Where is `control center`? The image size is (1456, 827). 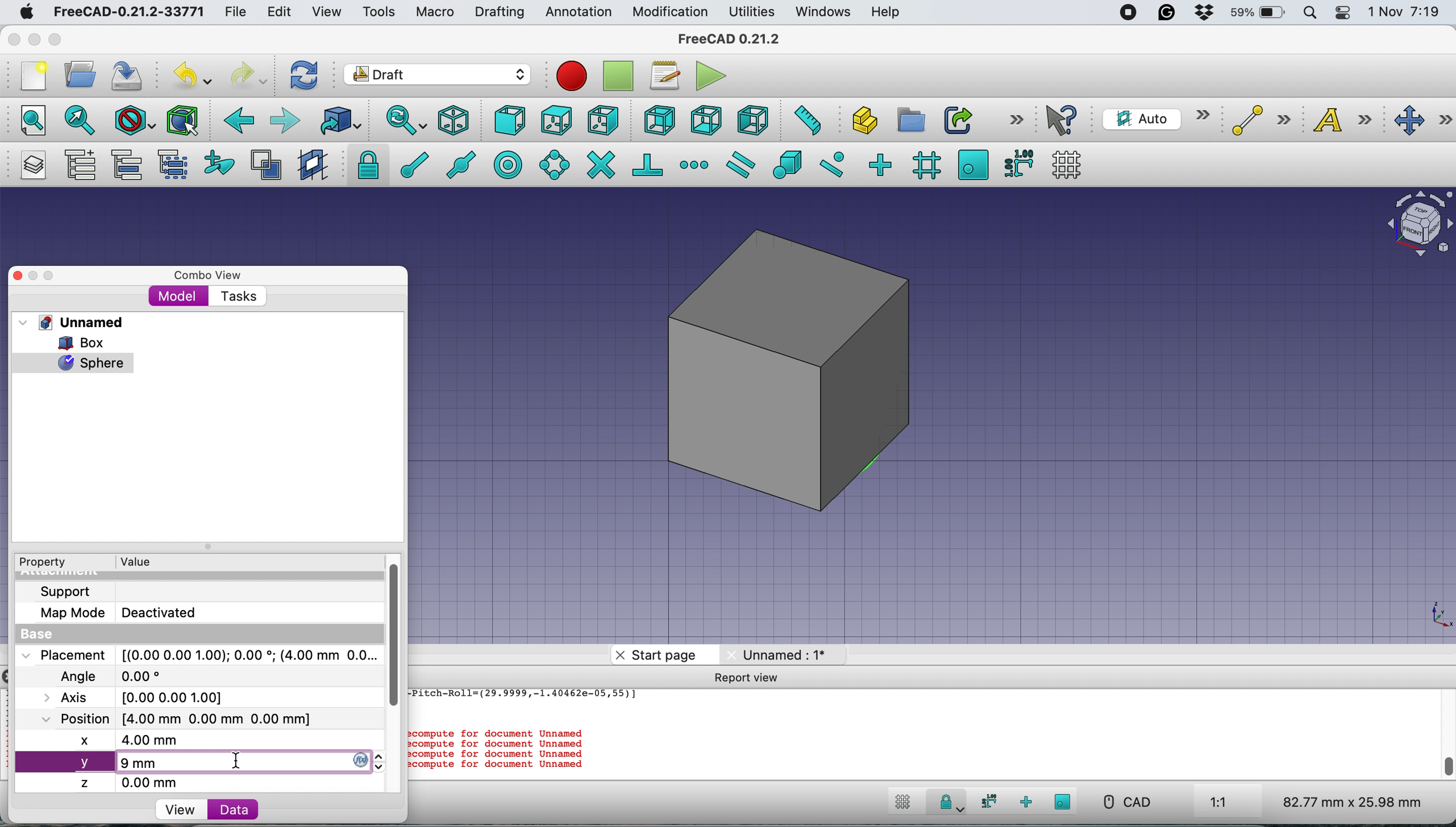 control center is located at coordinates (1343, 12).